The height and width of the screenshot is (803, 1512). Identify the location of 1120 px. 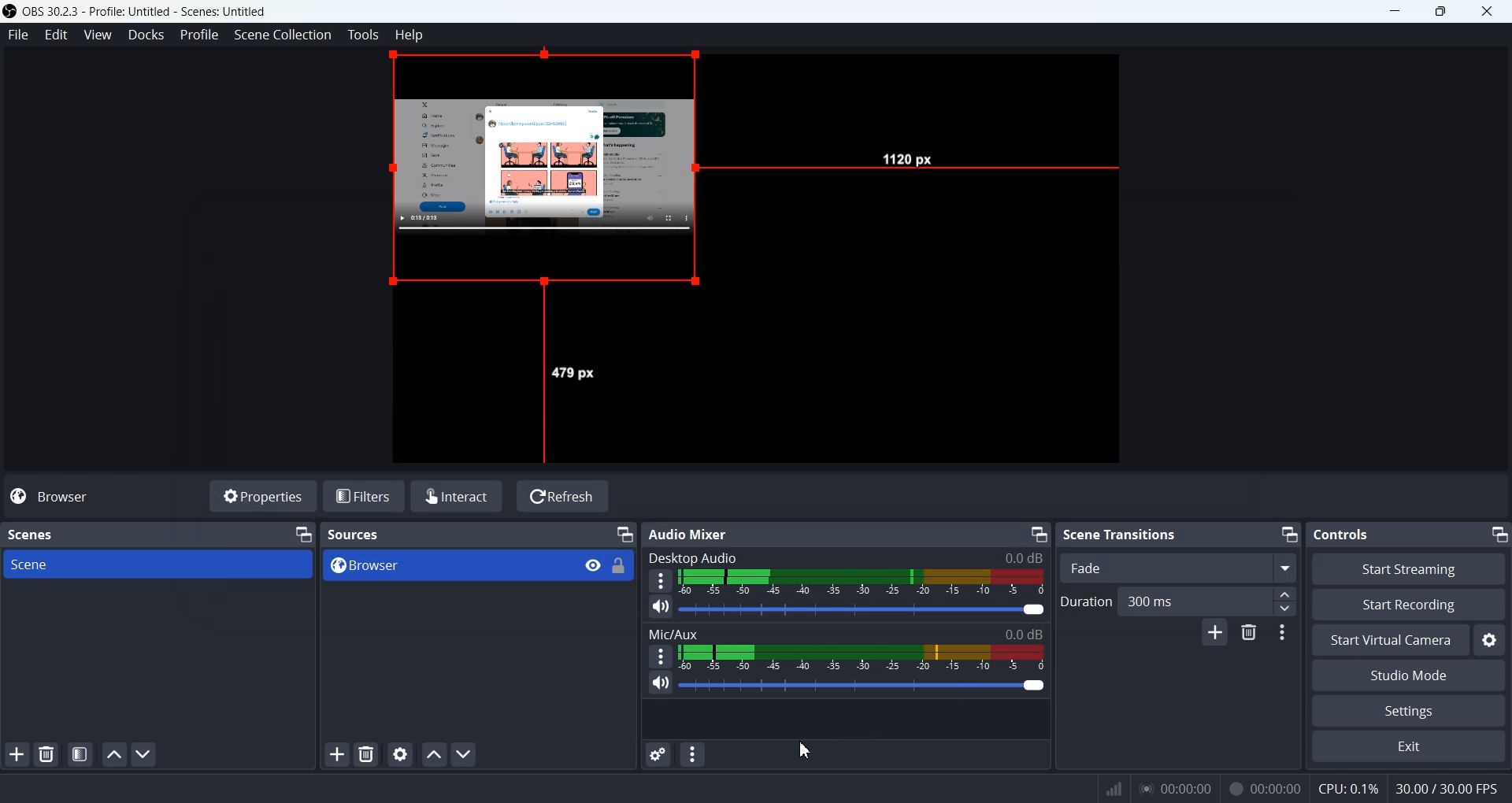
(912, 161).